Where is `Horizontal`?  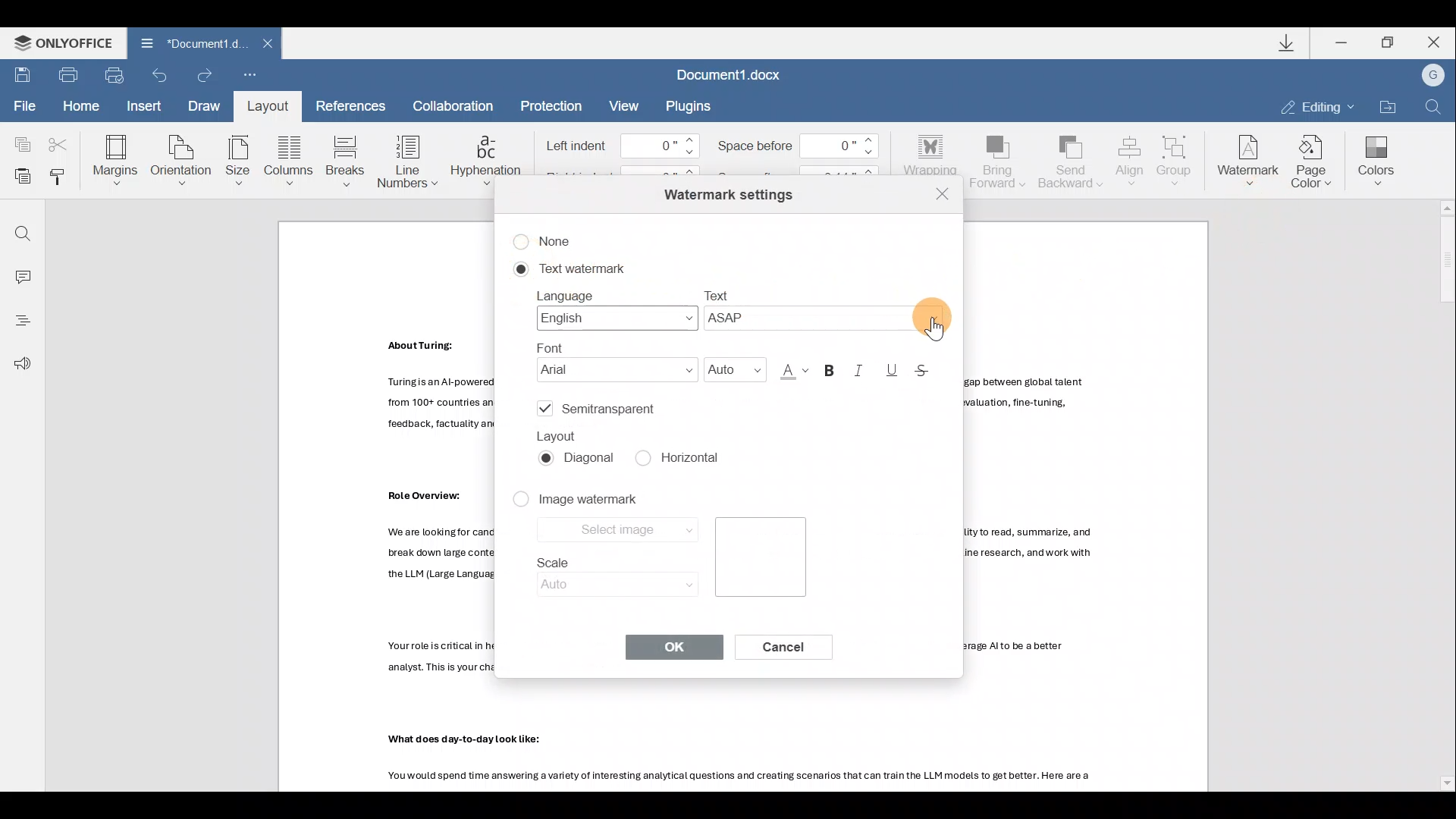
Horizontal is located at coordinates (684, 457).